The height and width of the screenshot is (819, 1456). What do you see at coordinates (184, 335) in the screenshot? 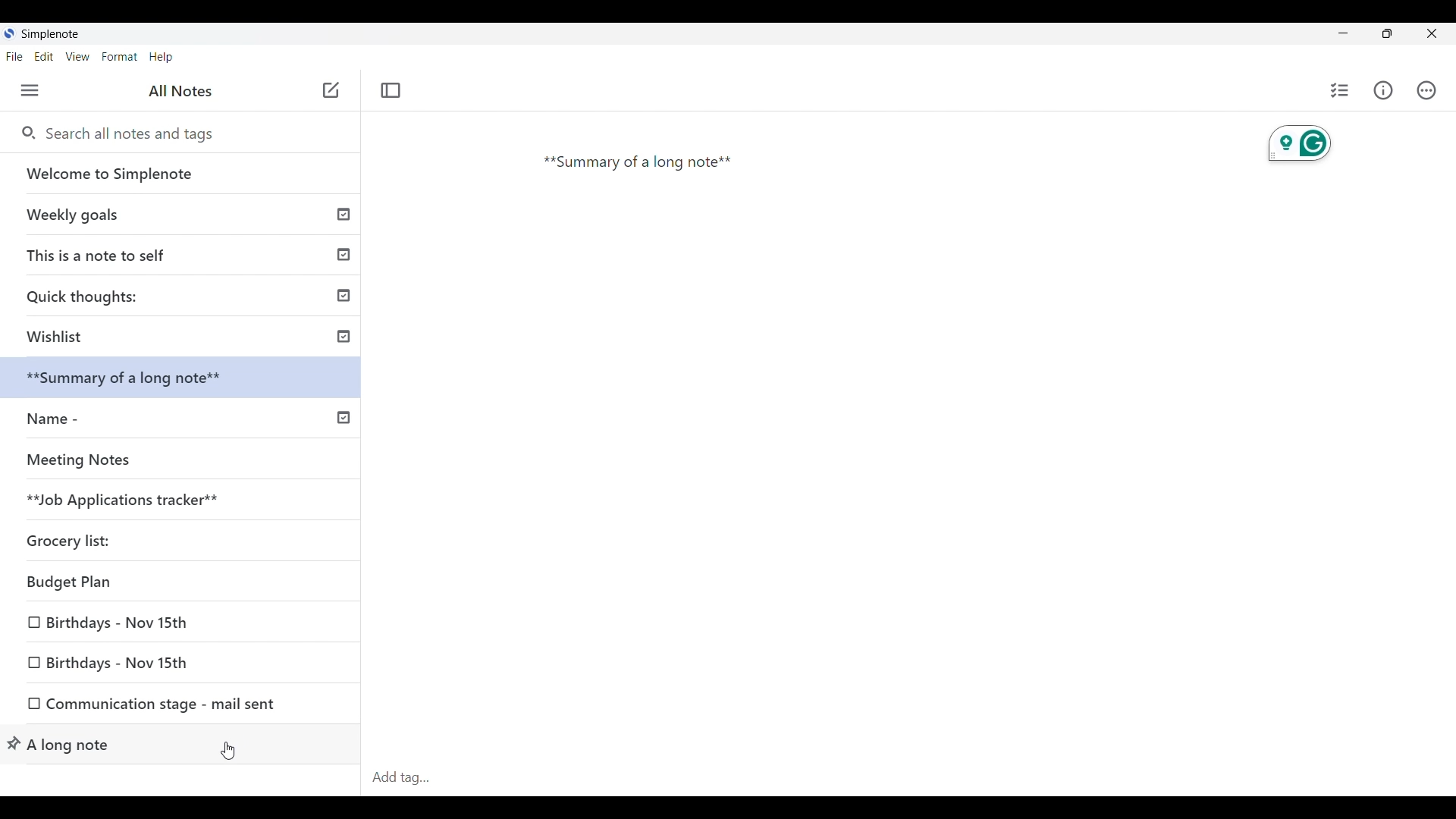
I see `Wishlist` at bounding box center [184, 335].